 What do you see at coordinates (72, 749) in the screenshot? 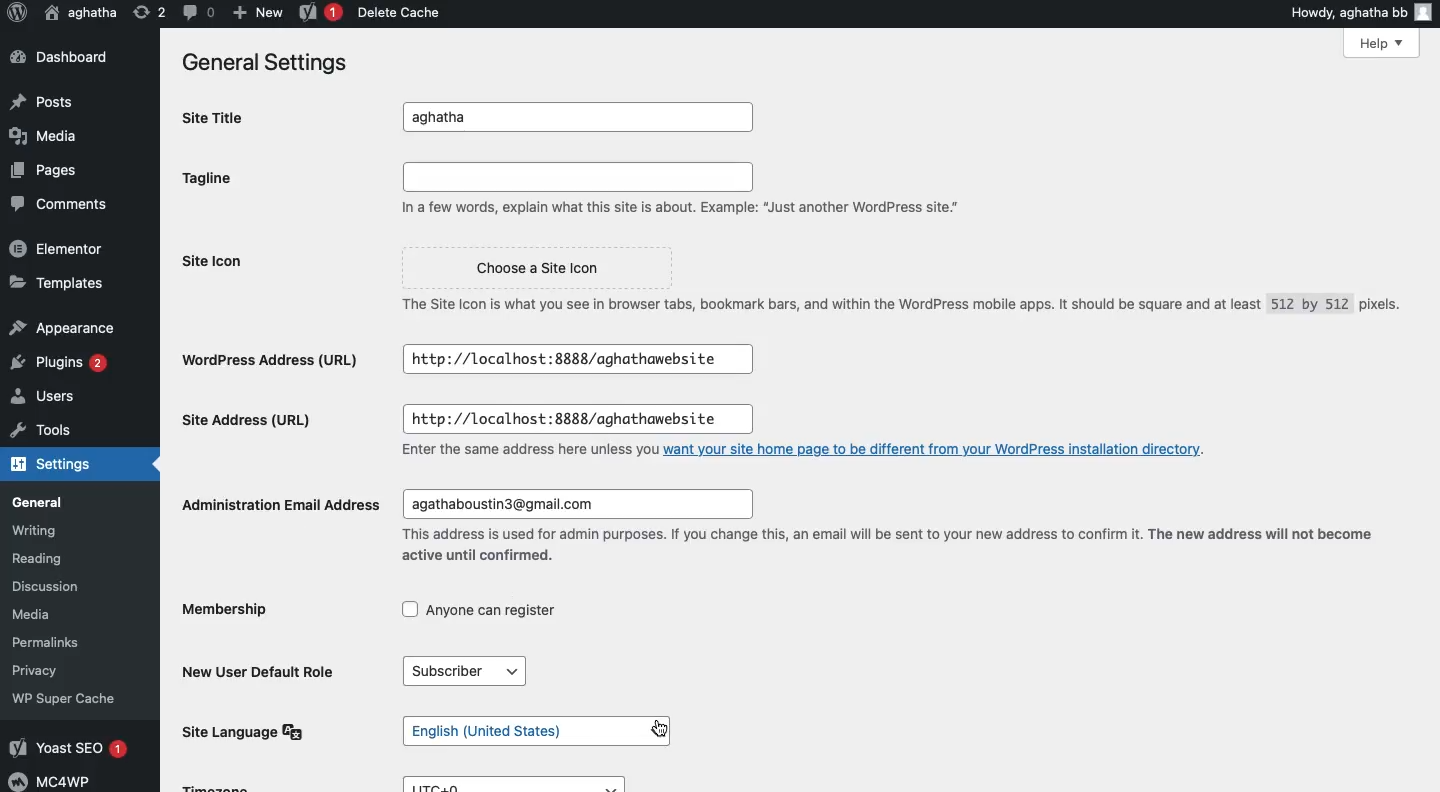
I see `Yoast SEO` at bounding box center [72, 749].